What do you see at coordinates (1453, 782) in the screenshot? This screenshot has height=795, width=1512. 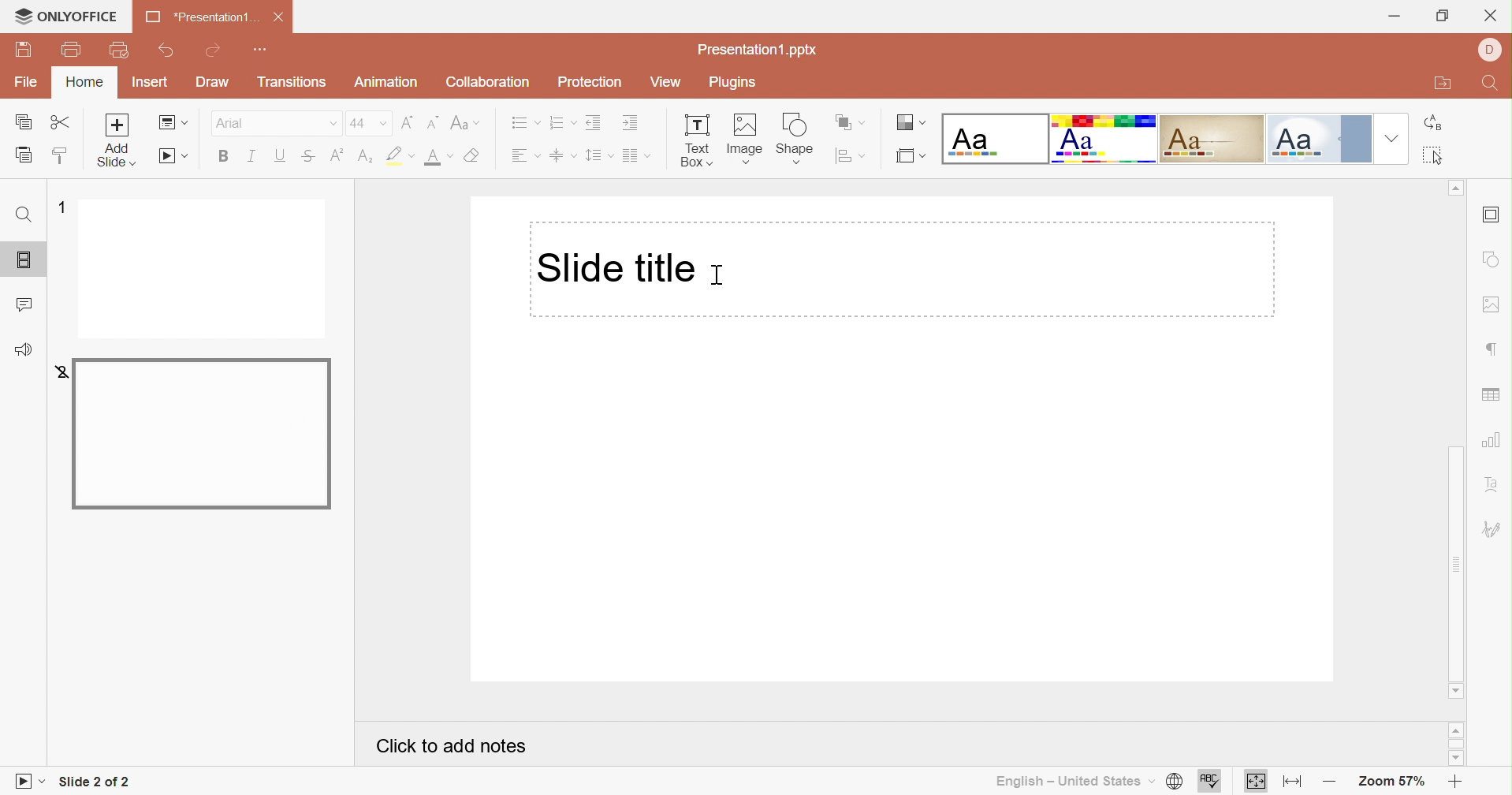 I see `Zoom in` at bounding box center [1453, 782].